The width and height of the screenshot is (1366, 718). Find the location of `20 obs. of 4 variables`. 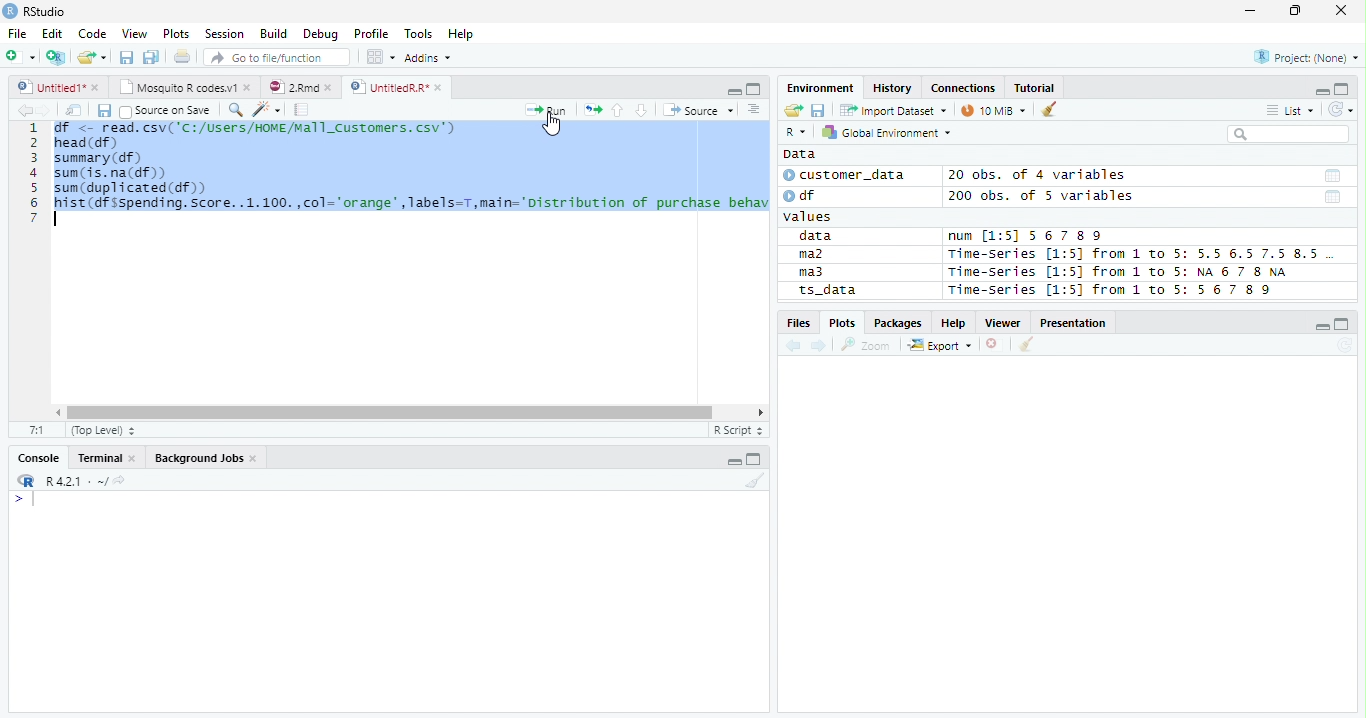

20 obs. of 4 variables is located at coordinates (1038, 177).